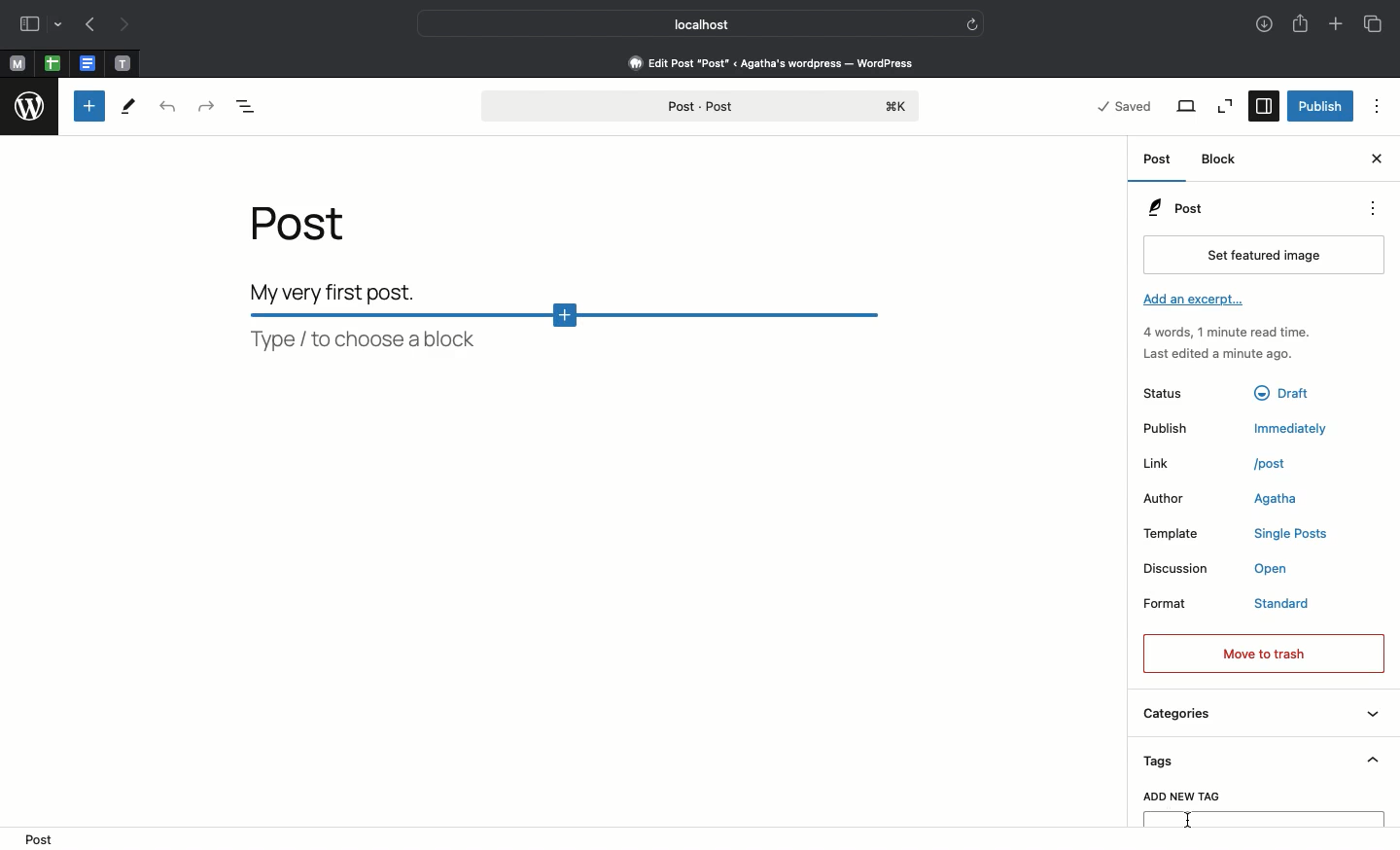  Describe the element at coordinates (1203, 301) in the screenshot. I see `Add an excerpt` at that location.